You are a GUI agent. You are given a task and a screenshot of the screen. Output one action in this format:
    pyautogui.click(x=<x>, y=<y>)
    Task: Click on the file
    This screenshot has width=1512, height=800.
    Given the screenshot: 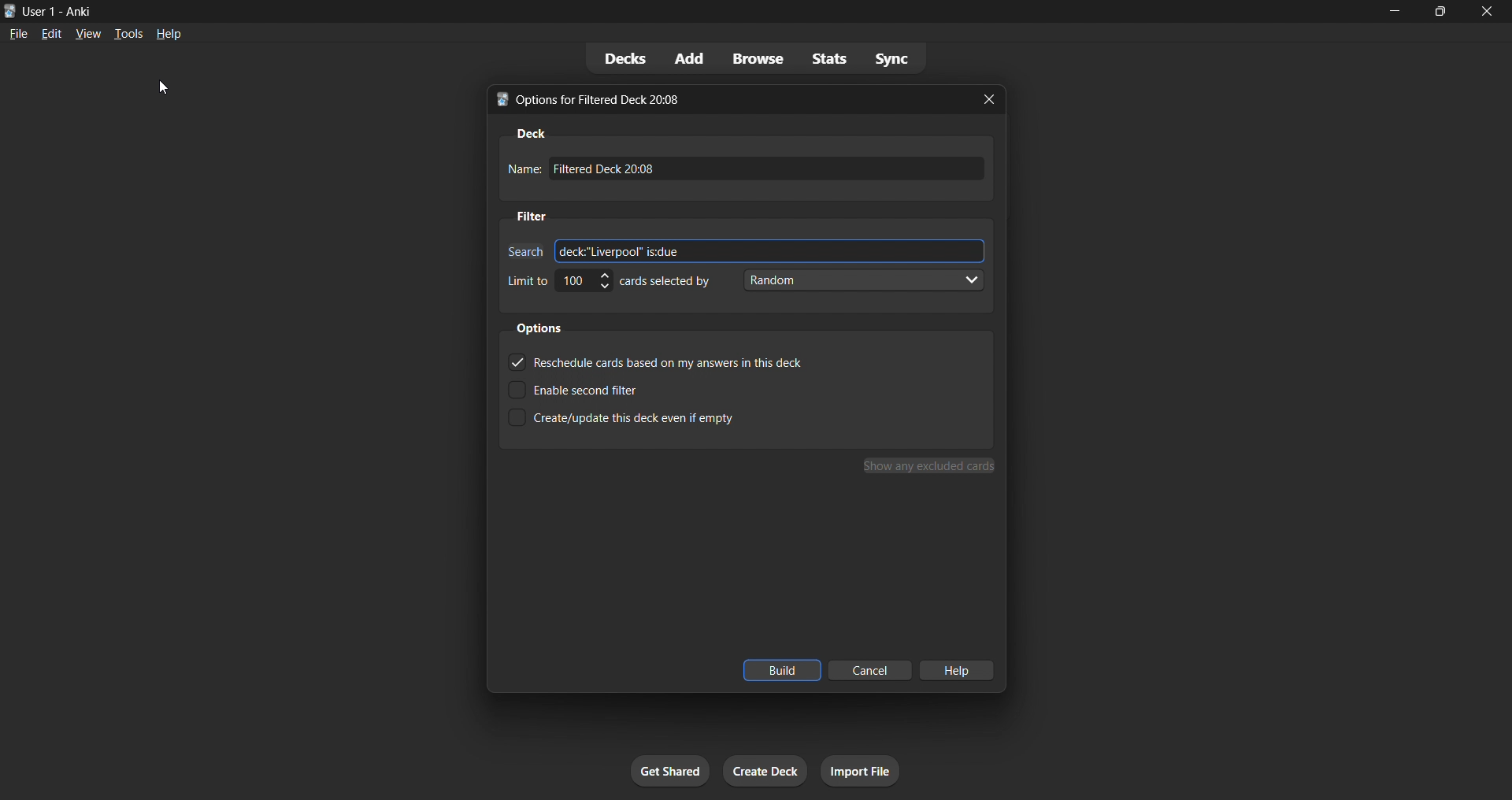 What is the action you would take?
    pyautogui.click(x=16, y=34)
    